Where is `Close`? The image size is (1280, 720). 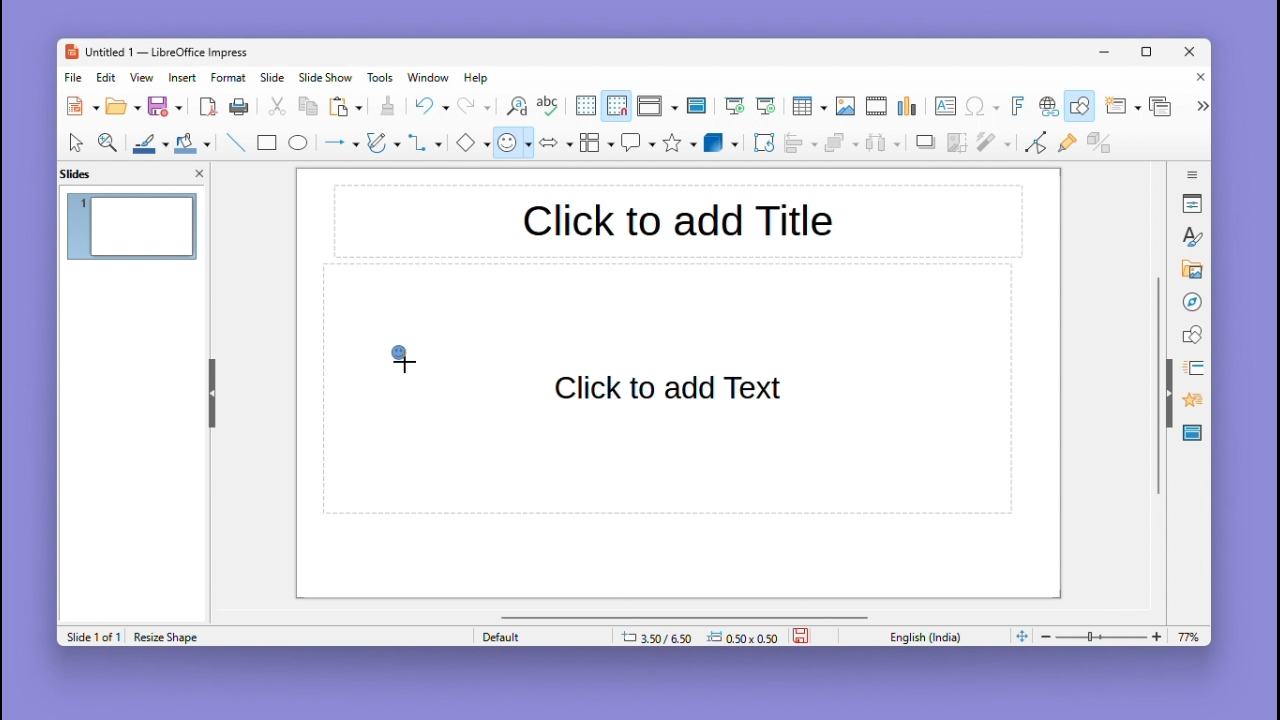 Close is located at coordinates (1191, 53).